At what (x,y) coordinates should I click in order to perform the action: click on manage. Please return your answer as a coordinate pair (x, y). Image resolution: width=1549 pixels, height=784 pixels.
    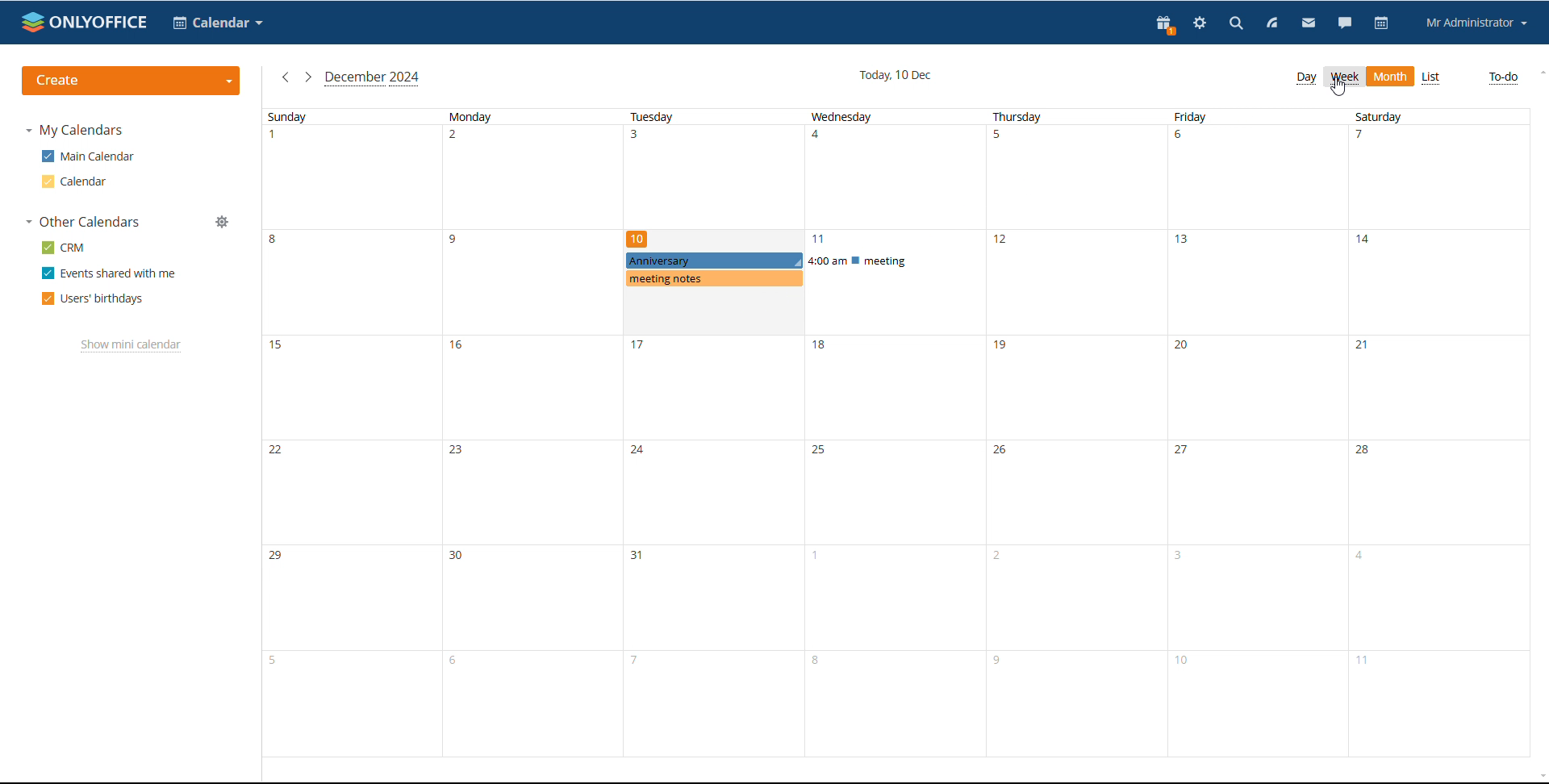
    Looking at the image, I should click on (223, 222).